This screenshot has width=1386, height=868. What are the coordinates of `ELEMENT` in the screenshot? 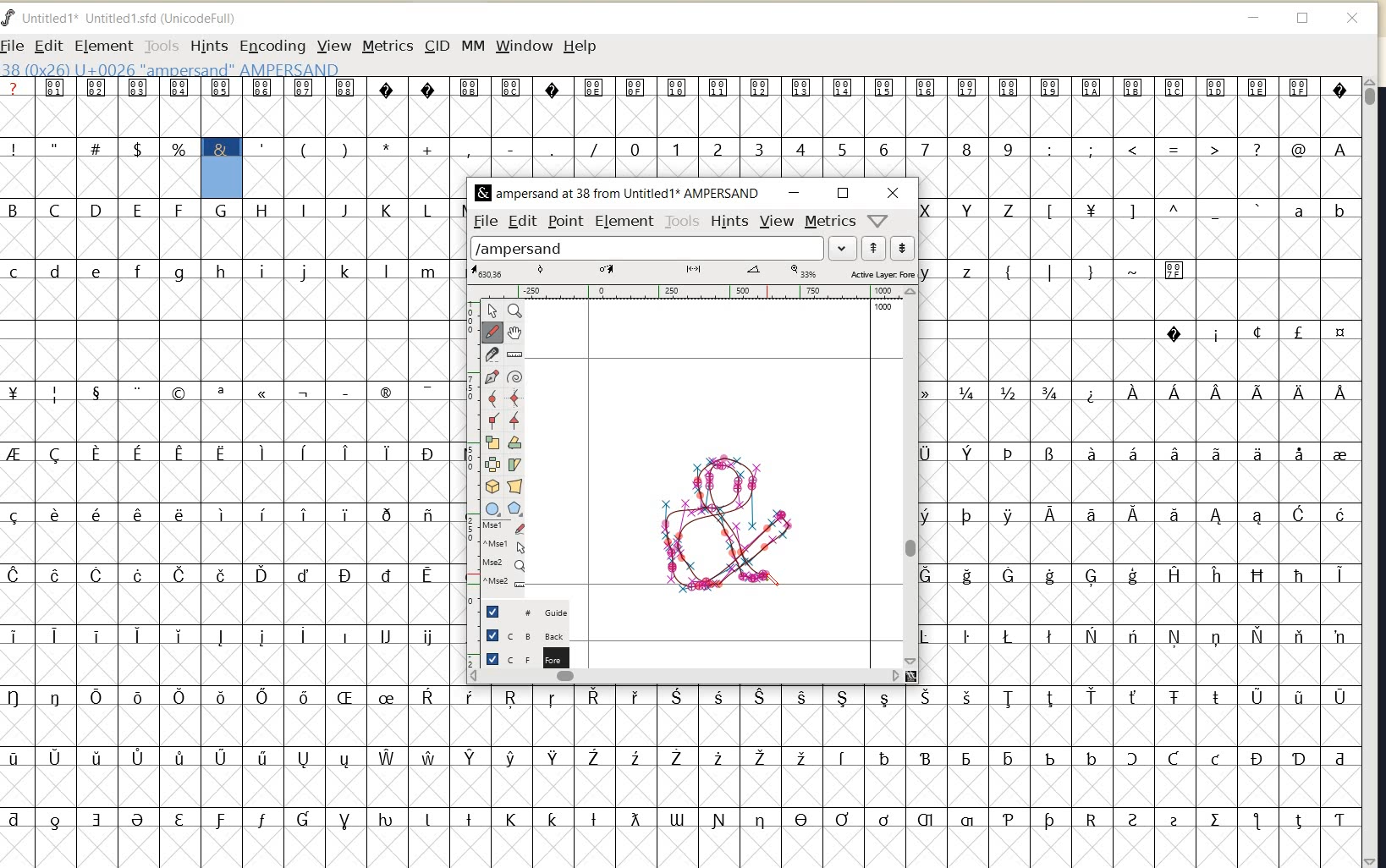 It's located at (624, 222).